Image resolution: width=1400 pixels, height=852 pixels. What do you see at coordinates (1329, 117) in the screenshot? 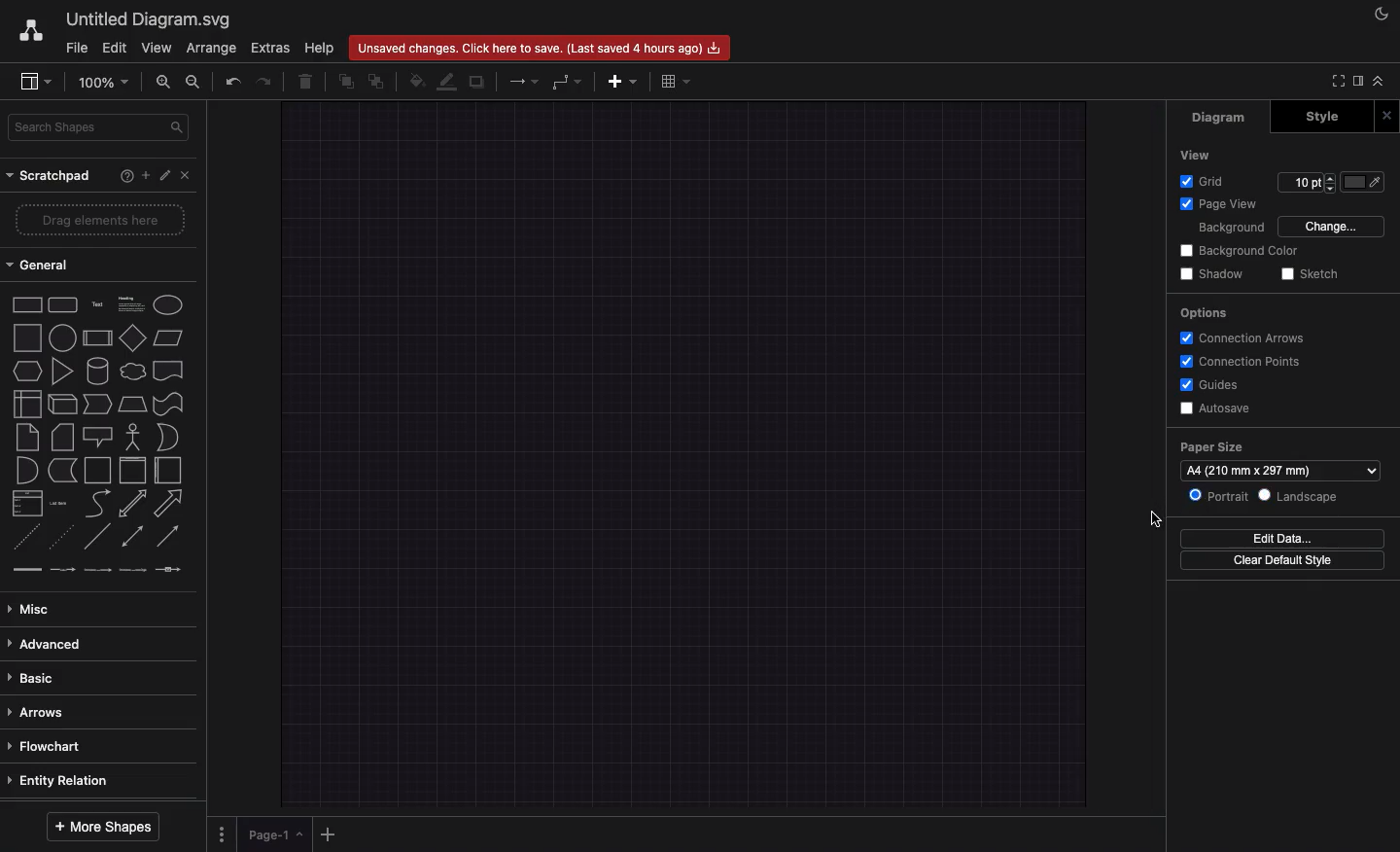
I see `Style ` at bounding box center [1329, 117].